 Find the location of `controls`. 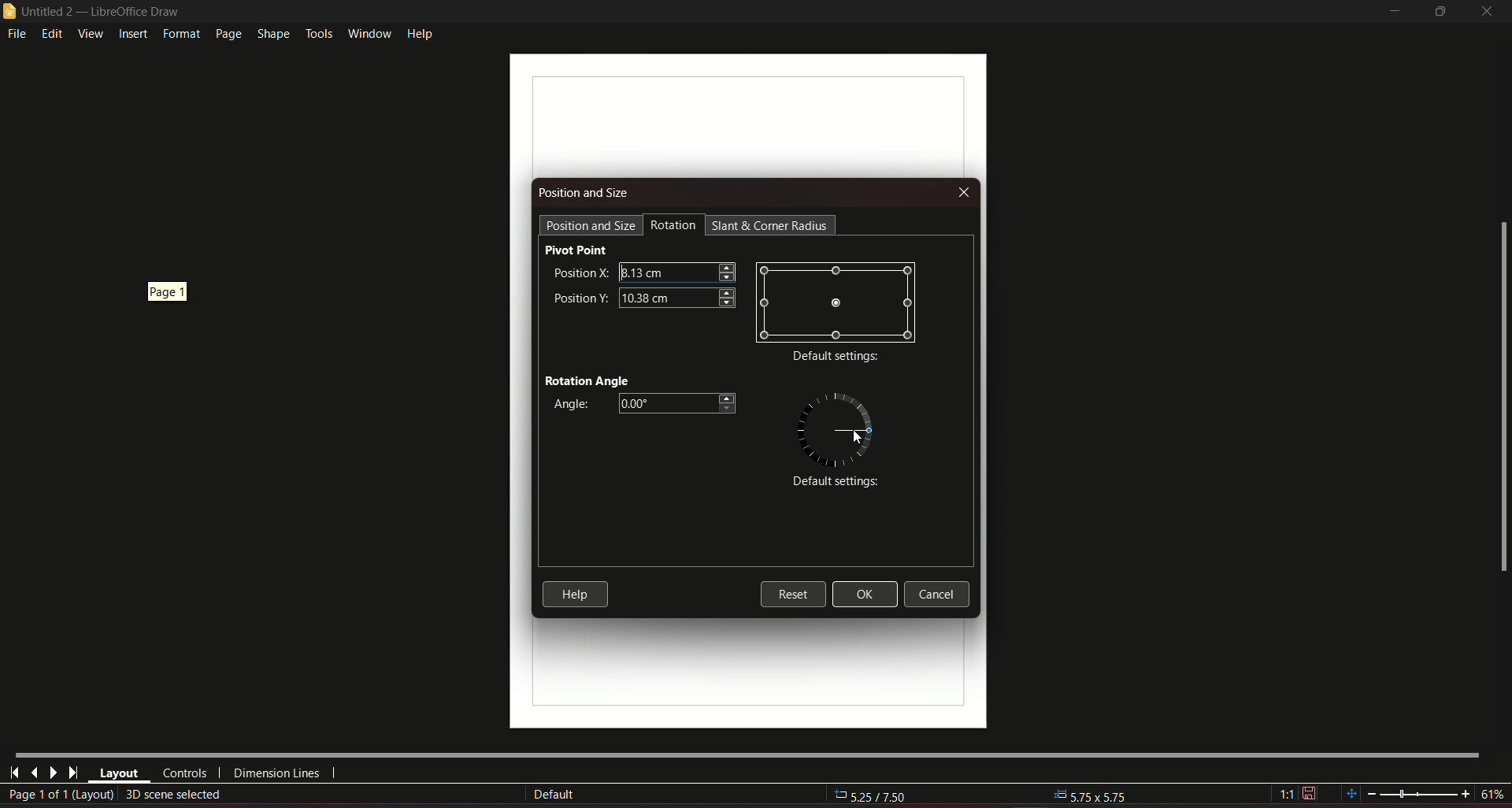

controls is located at coordinates (183, 773).